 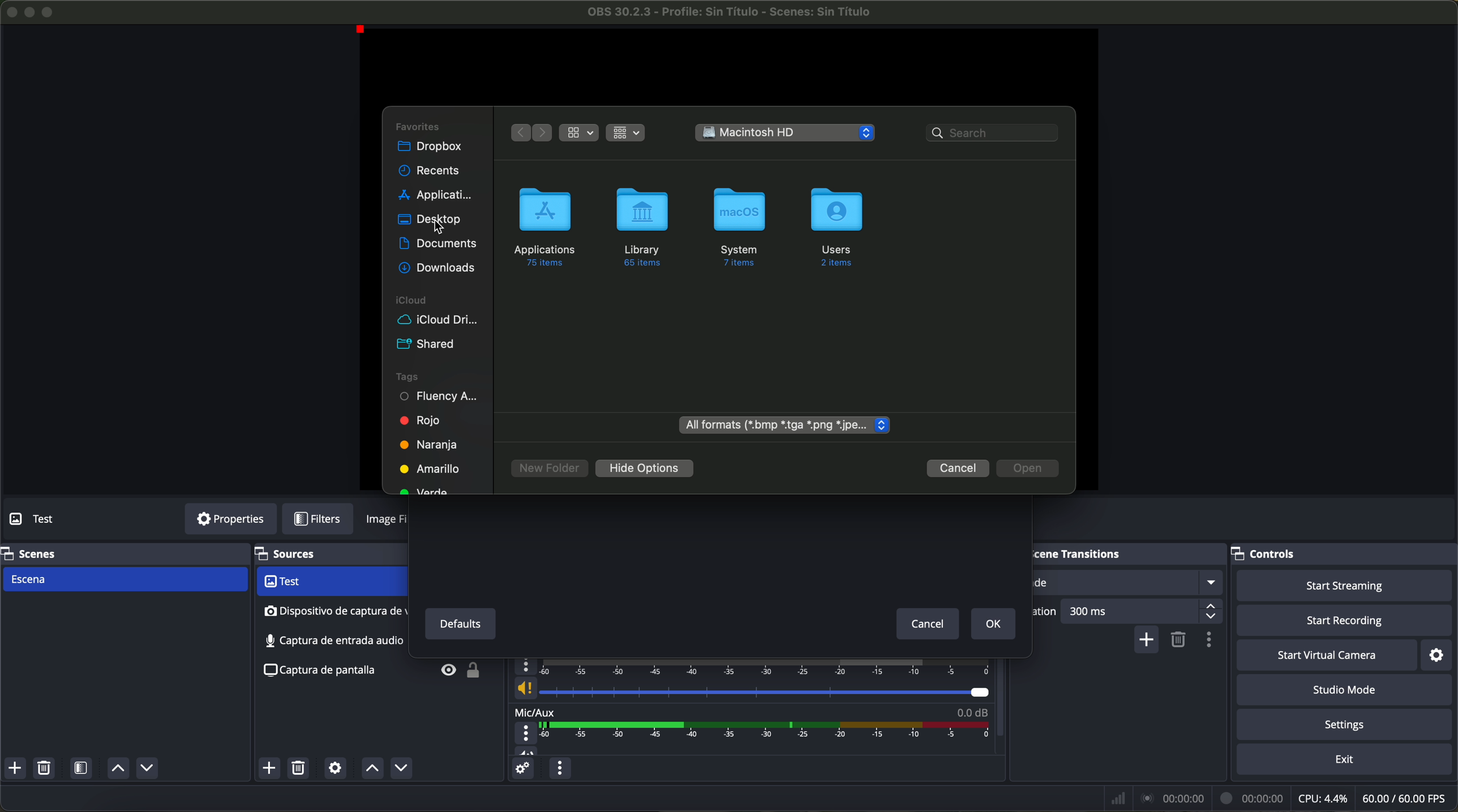 What do you see at coordinates (44, 768) in the screenshot?
I see `remove selected scene` at bounding box center [44, 768].